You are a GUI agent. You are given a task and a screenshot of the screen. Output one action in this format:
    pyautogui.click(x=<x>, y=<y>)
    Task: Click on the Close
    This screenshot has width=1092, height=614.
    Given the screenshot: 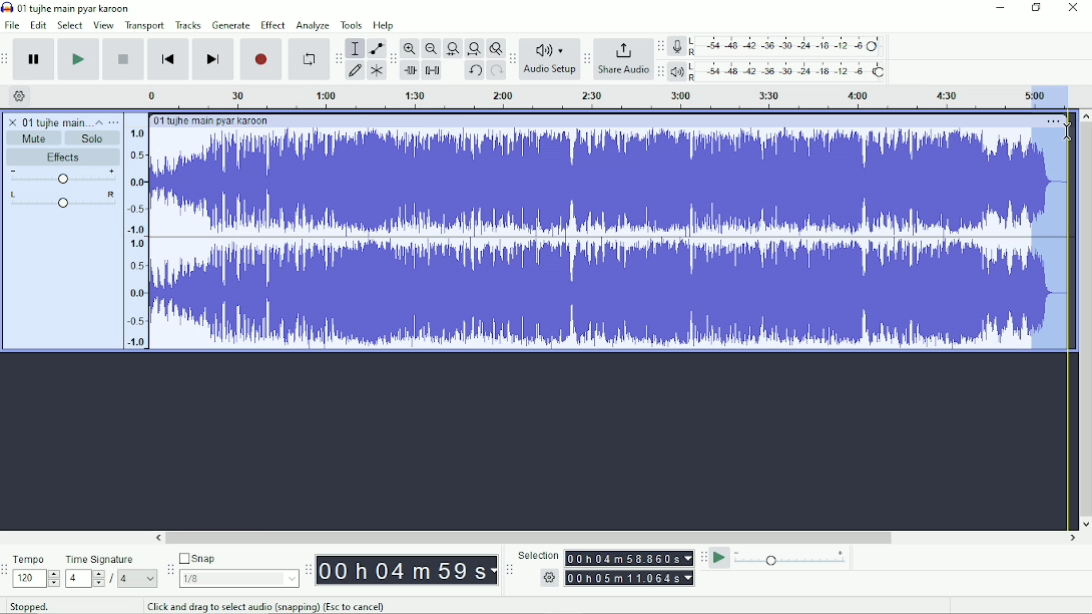 What is the action you would take?
    pyautogui.click(x=1074, y=7)
    